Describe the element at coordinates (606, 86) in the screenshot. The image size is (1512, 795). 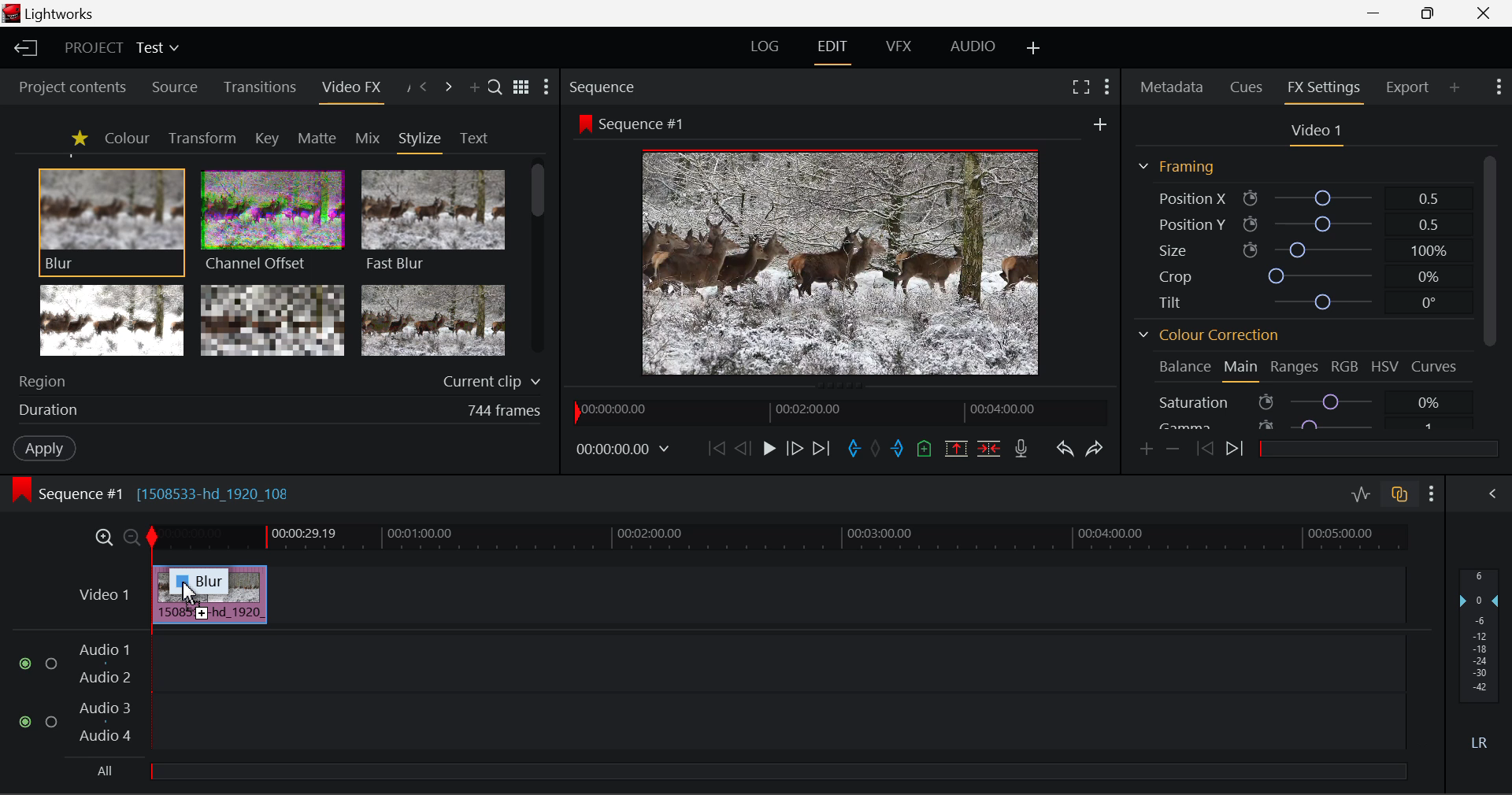
I see `Sequence Preview Section` at that location.